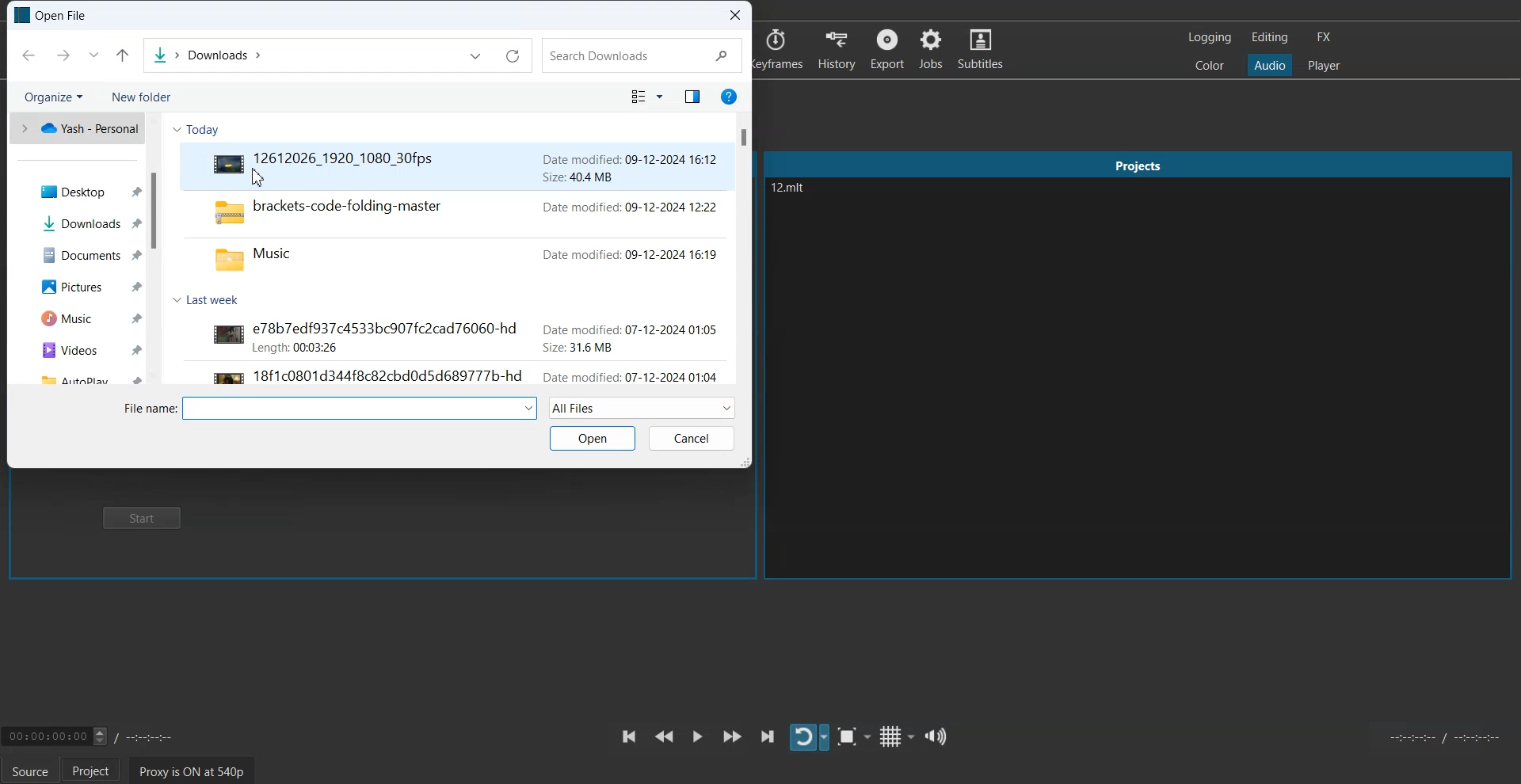  I want to click on Keyframes, so click(780, 48).